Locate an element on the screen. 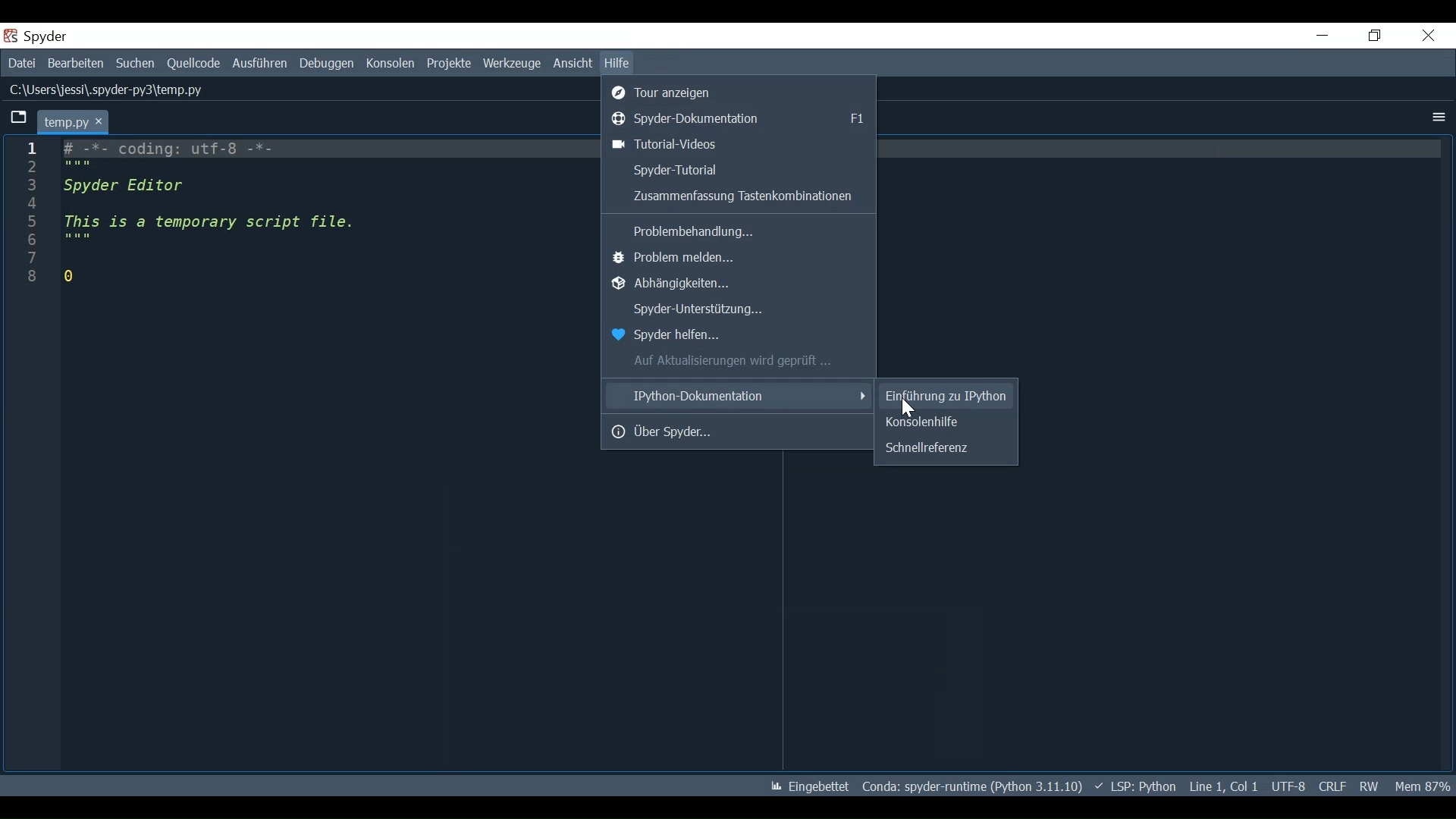  line numbers is located at coordinates (29, 221).